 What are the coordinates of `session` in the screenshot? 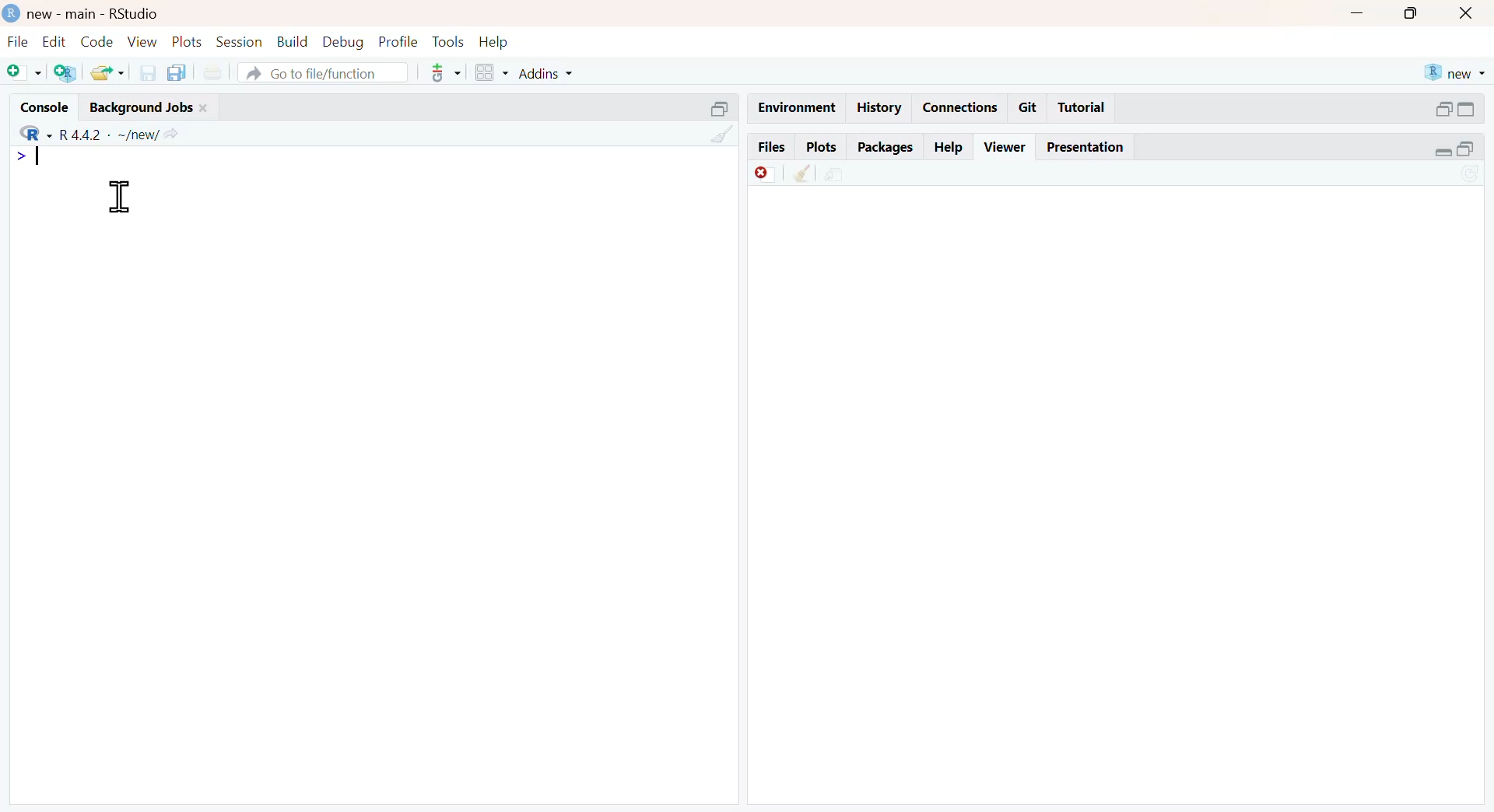 It's located at (238, 42).